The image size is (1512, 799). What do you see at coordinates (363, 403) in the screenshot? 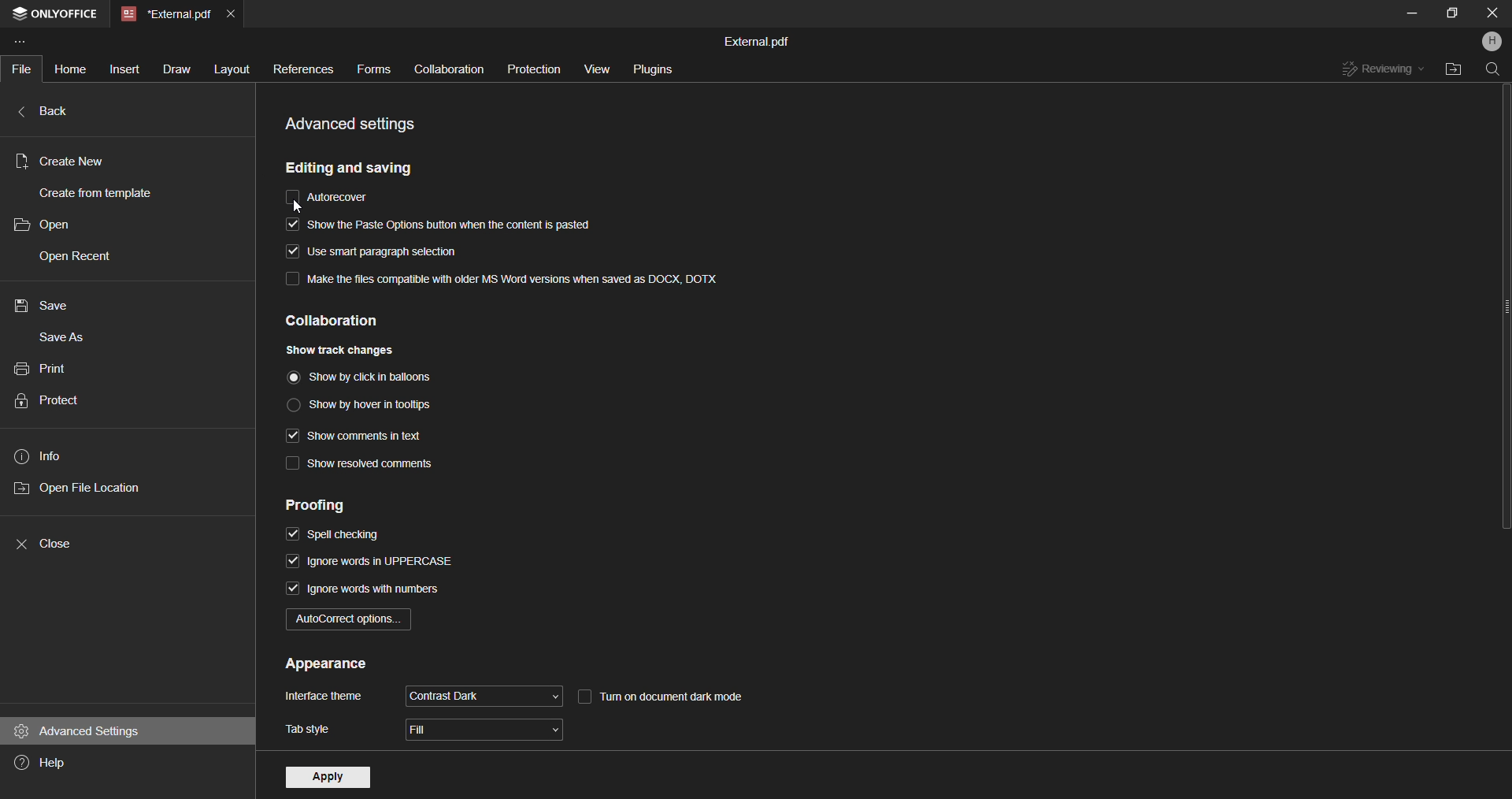
I see `show by hover in tooltips` at bounding box center [363, 403].